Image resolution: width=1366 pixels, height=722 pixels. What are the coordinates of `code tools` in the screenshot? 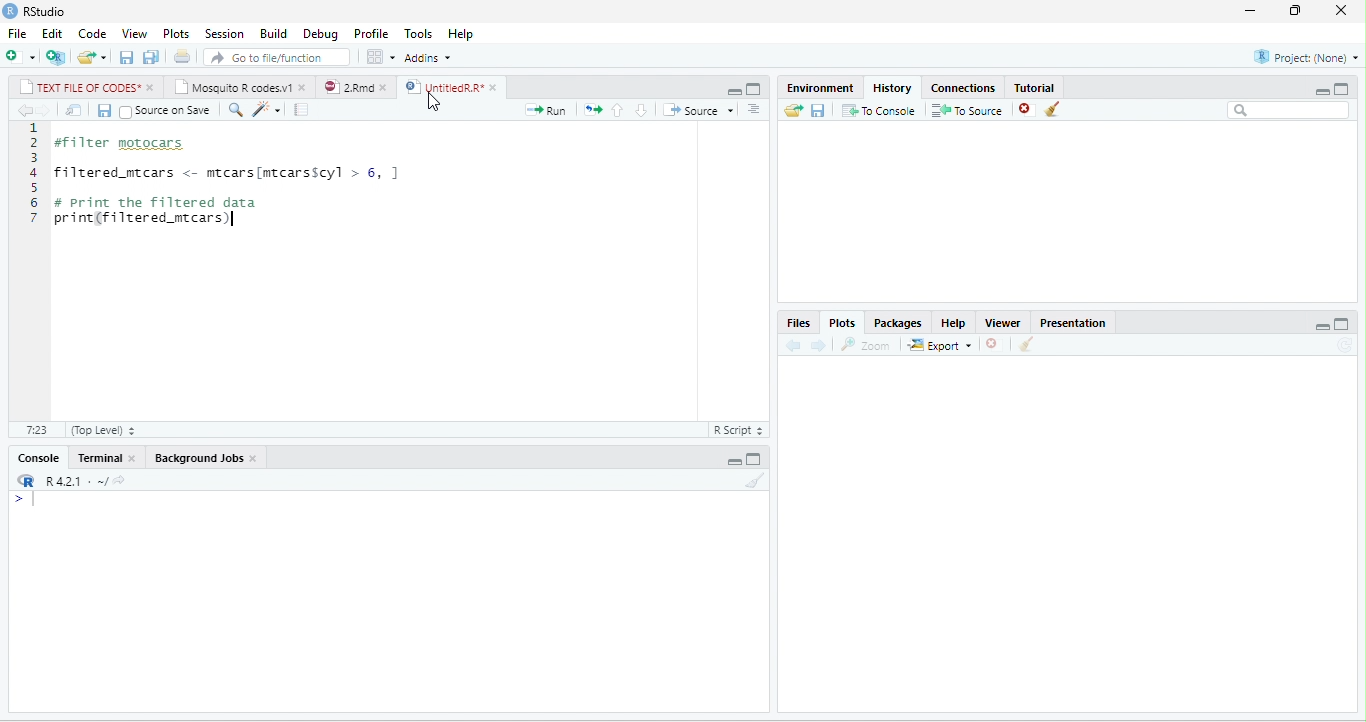 It's located at (267, 110).